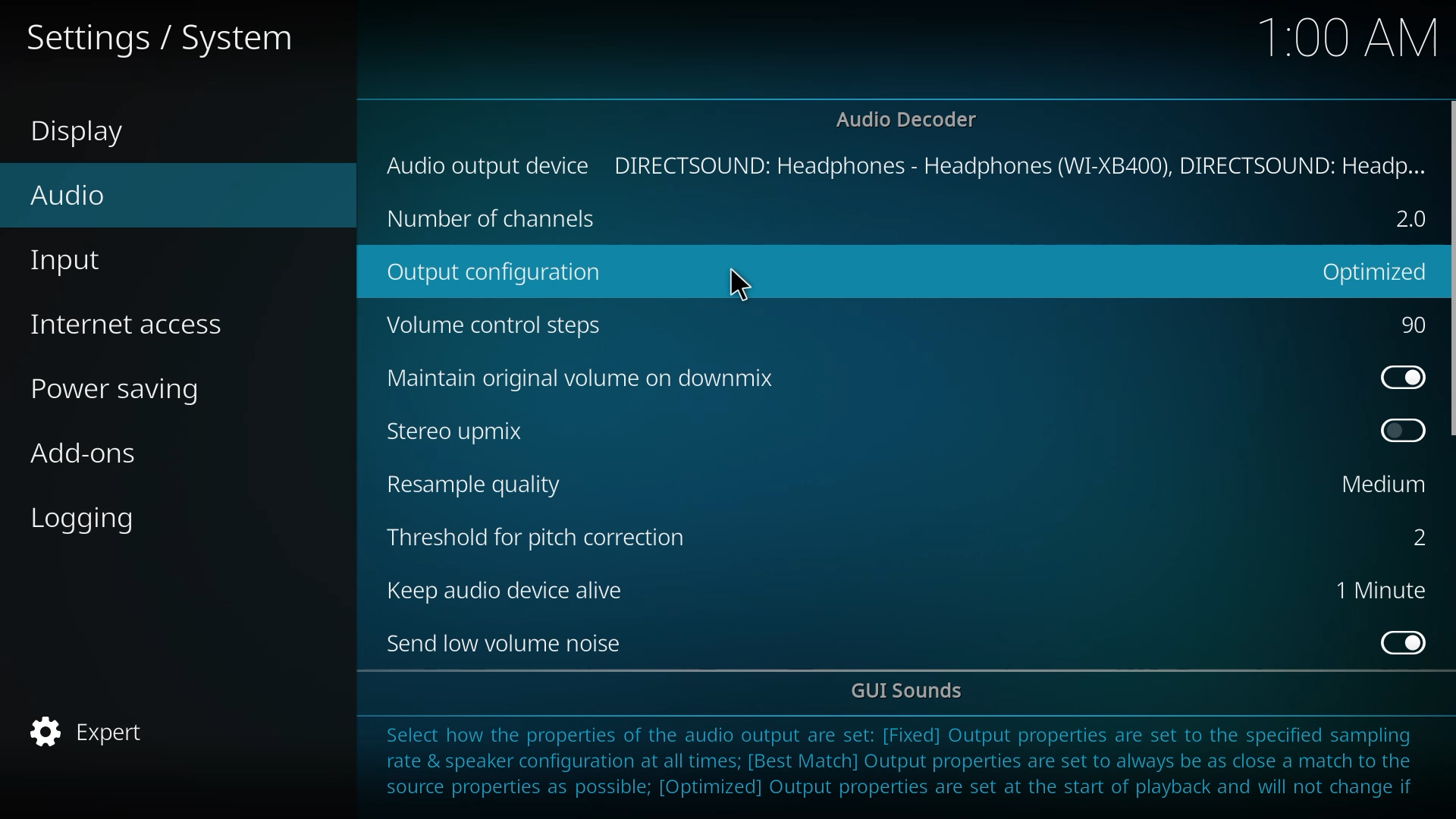 The width and height of the screenshot is (1456, 819). What do you see at coordinates (1398, 641) in the screenshot?
I see `enabled` at bounding box center [1398, 641].